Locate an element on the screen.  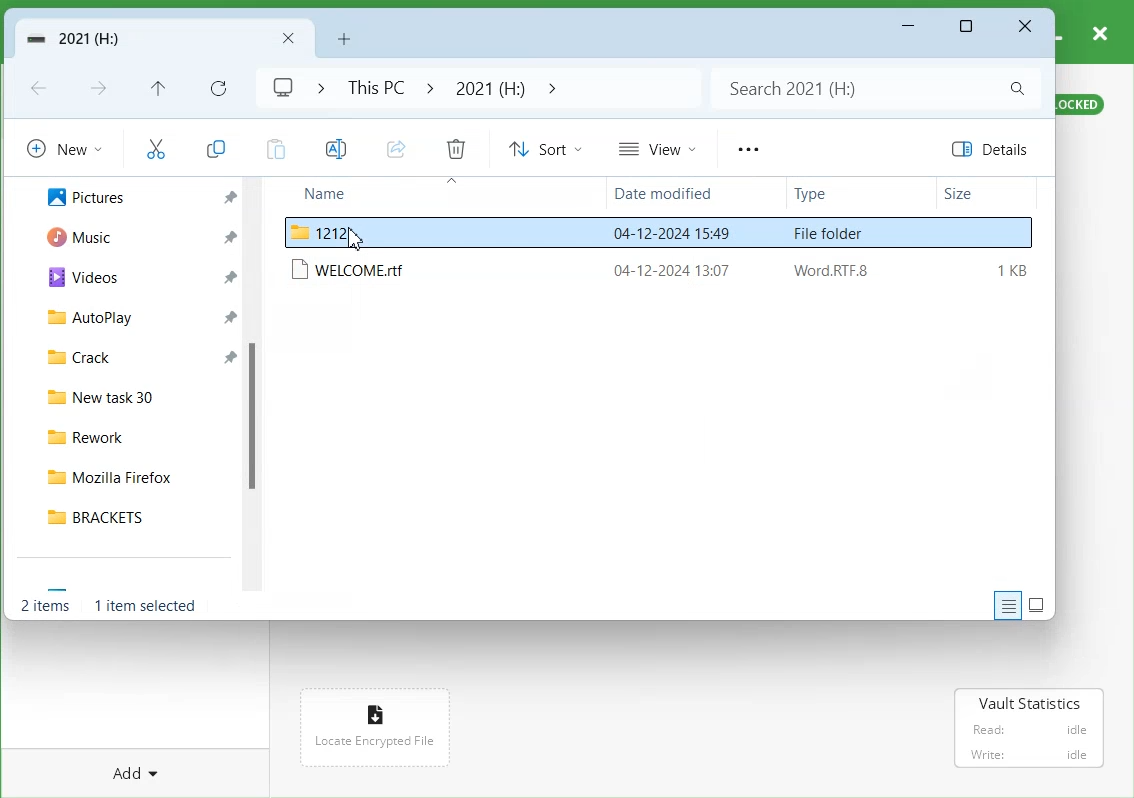
Display information about each item to the window is located at coordinates (1008, 604).